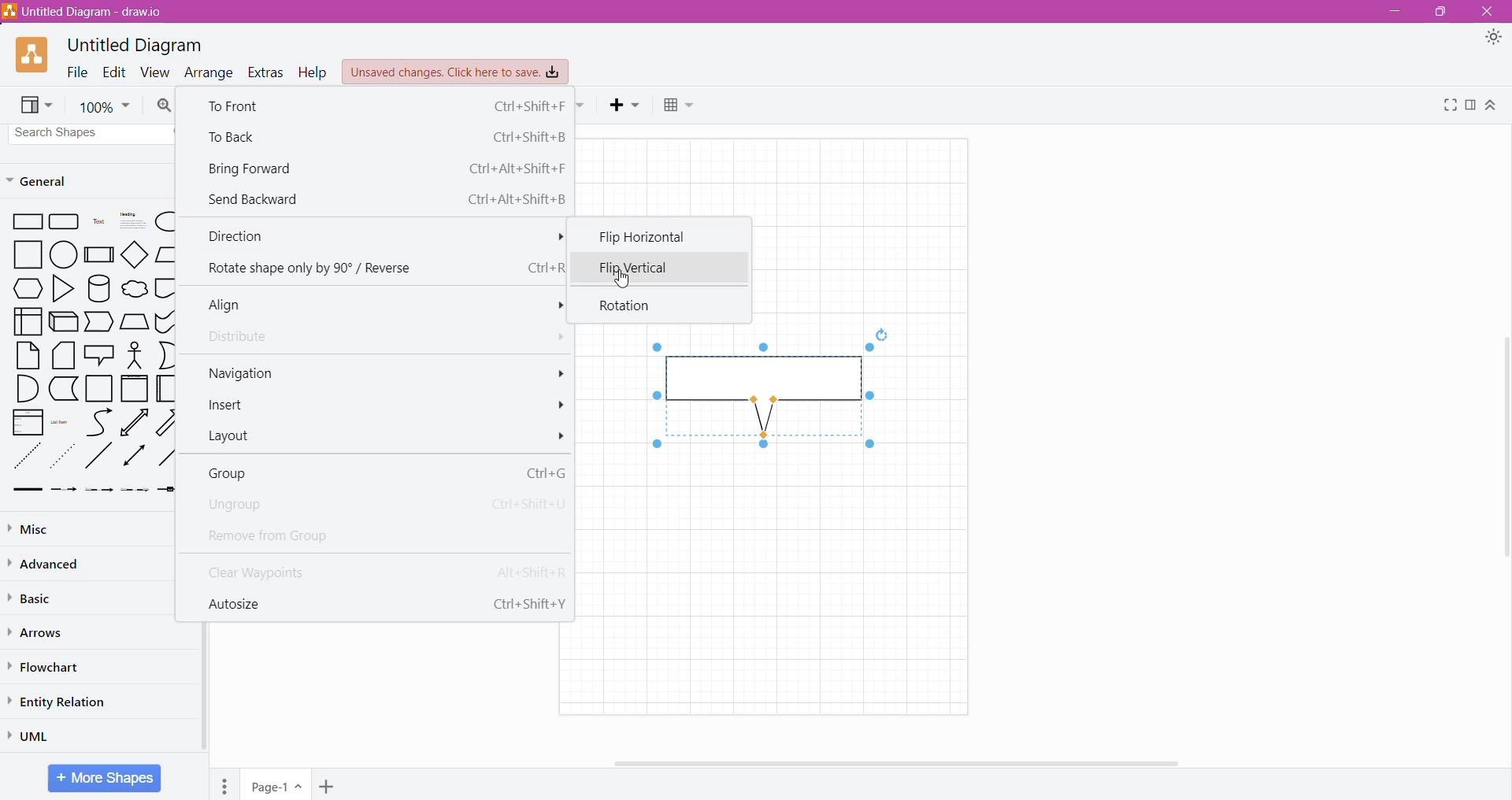 This screenshot has height=800, width=1512. I want to click on Extras, so click(267, 73).